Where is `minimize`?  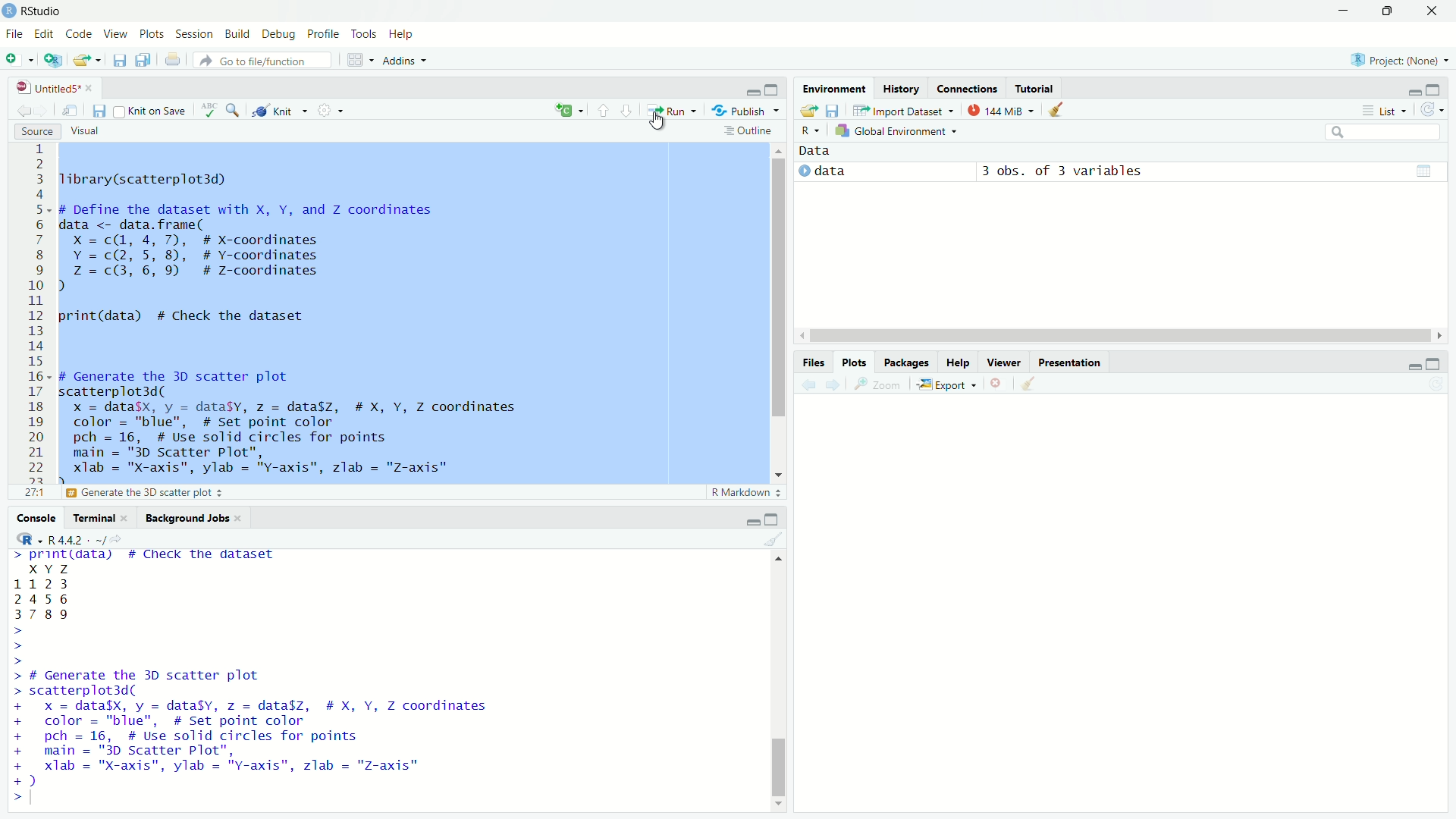
minimize is located at coordinates (1409, 363).